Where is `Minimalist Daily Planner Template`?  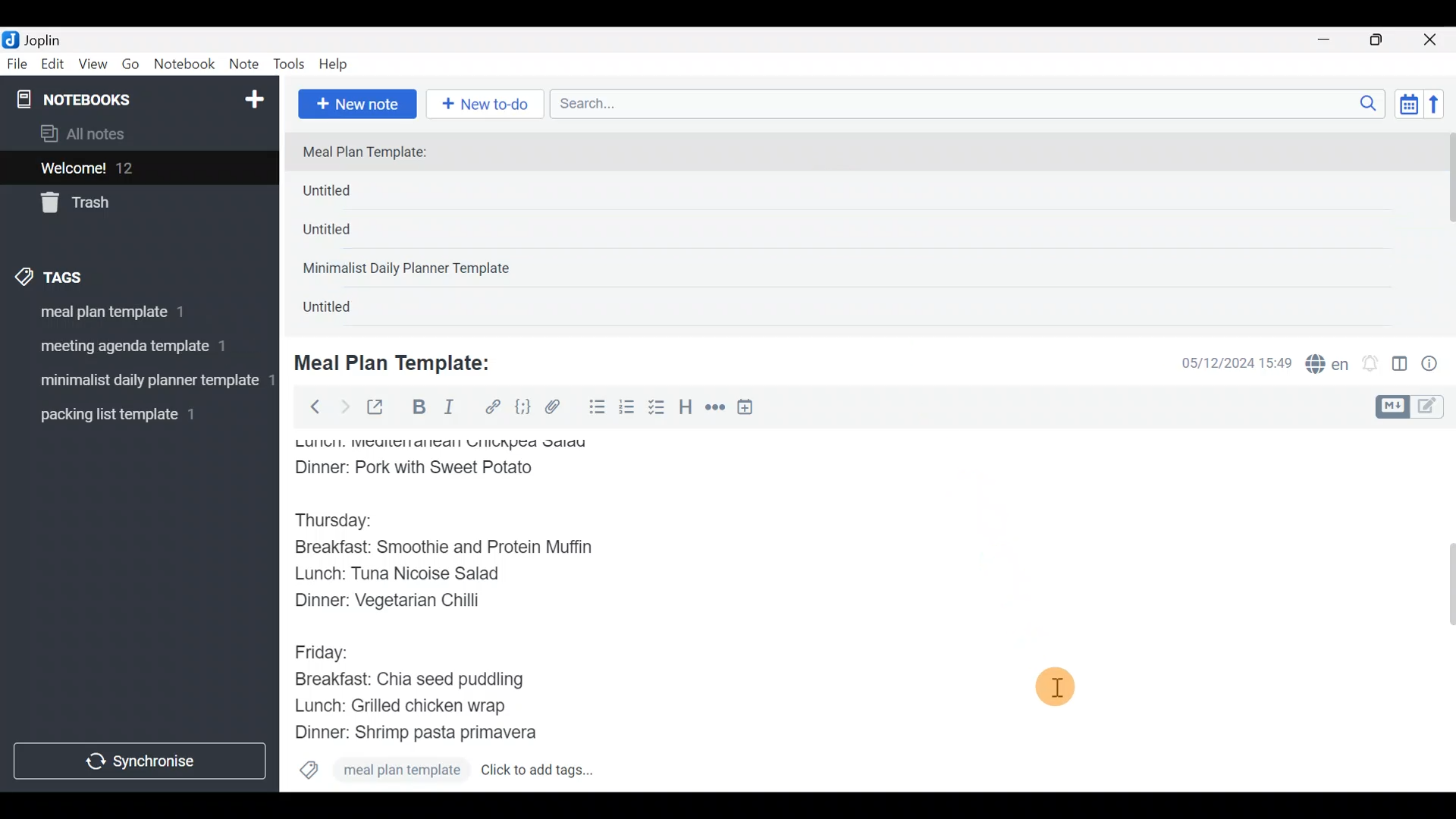
Minimalist Daily Planner Template is located at coordinates (411, 270).